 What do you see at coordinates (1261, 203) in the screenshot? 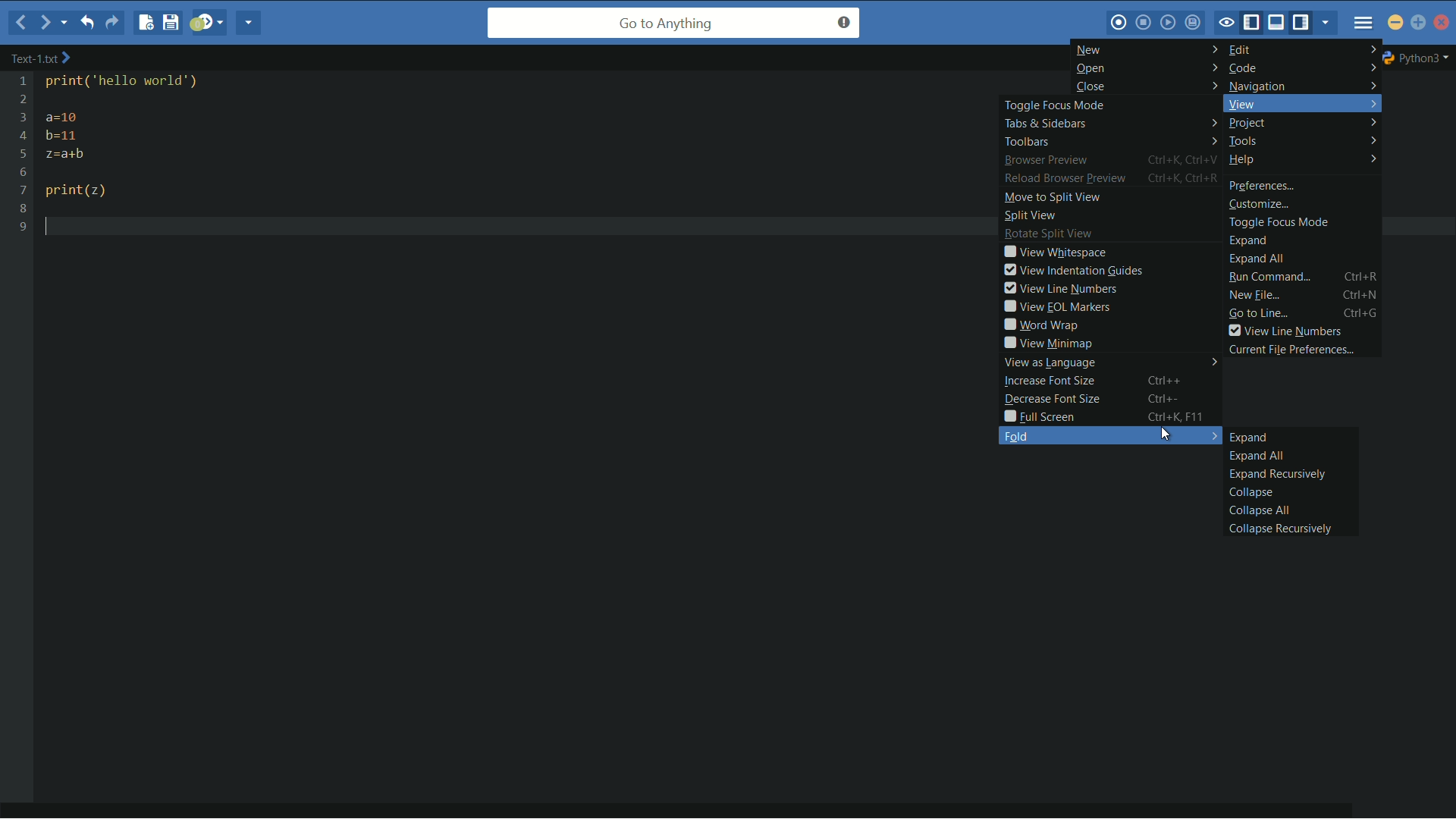
I see `customize` at bounding box center [1261, 203].